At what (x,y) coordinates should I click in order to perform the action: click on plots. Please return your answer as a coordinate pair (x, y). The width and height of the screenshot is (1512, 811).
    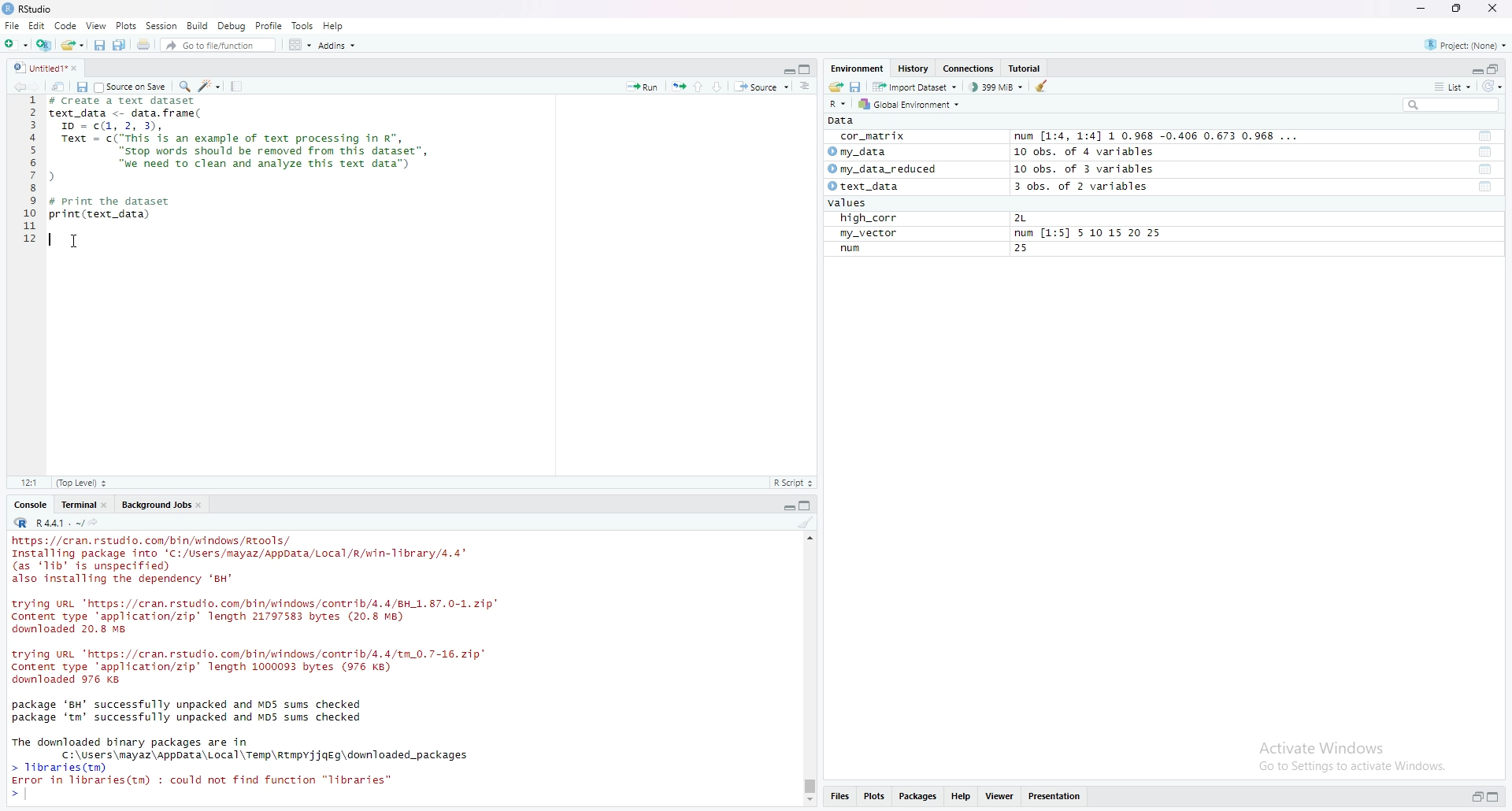
    Looking at the image, I should click on (875, 797).